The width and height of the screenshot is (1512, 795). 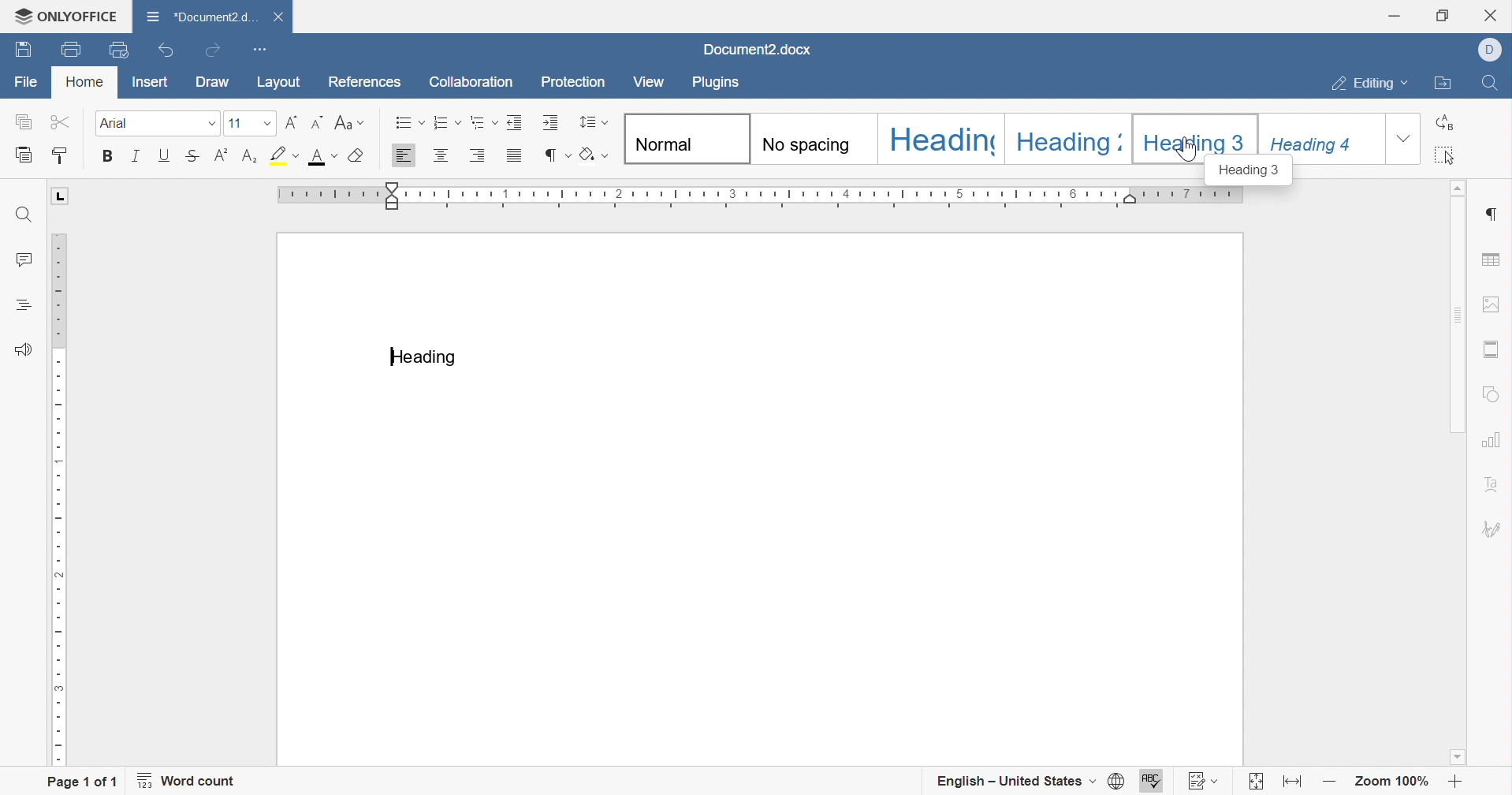 I want to click on Justified, so click(x=516, y=159).